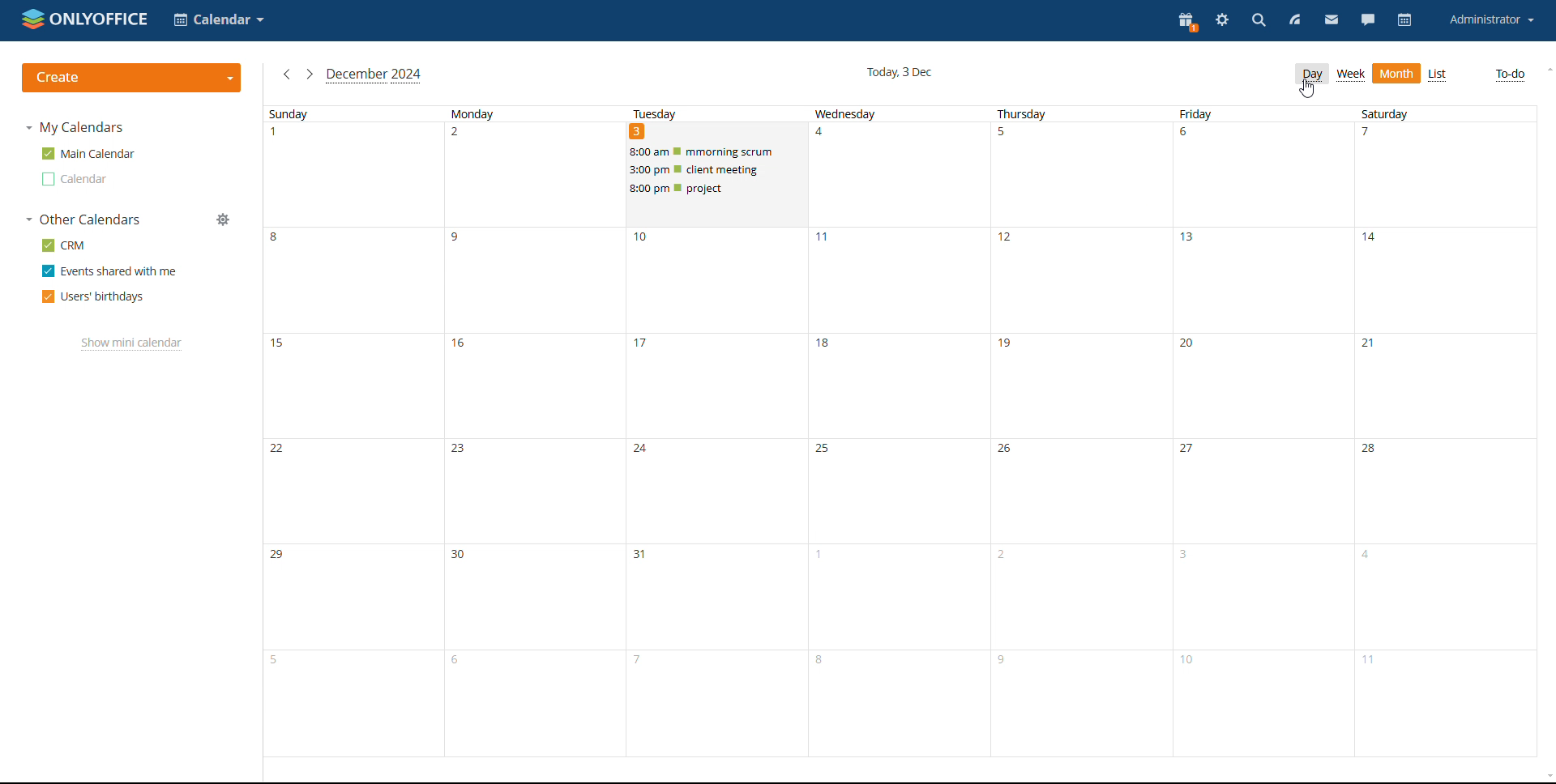 This screenshot has height=784, width=1556. Describe the element at coordinates (900, 73) in the screenshot. I see `current date` at that location.